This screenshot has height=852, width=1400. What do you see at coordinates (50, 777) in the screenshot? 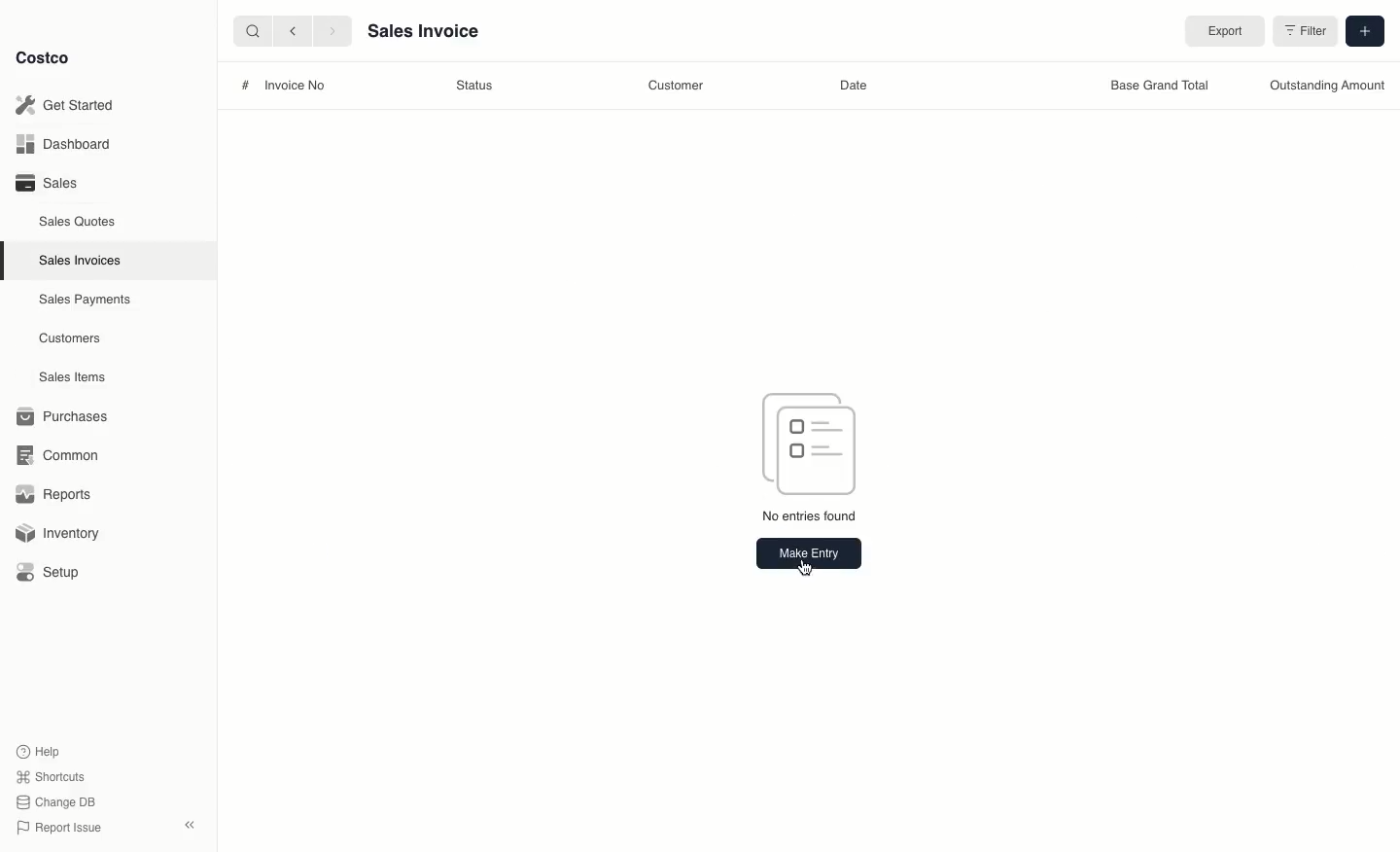
I see `Shortcuts` at bounding box center [50, 777].